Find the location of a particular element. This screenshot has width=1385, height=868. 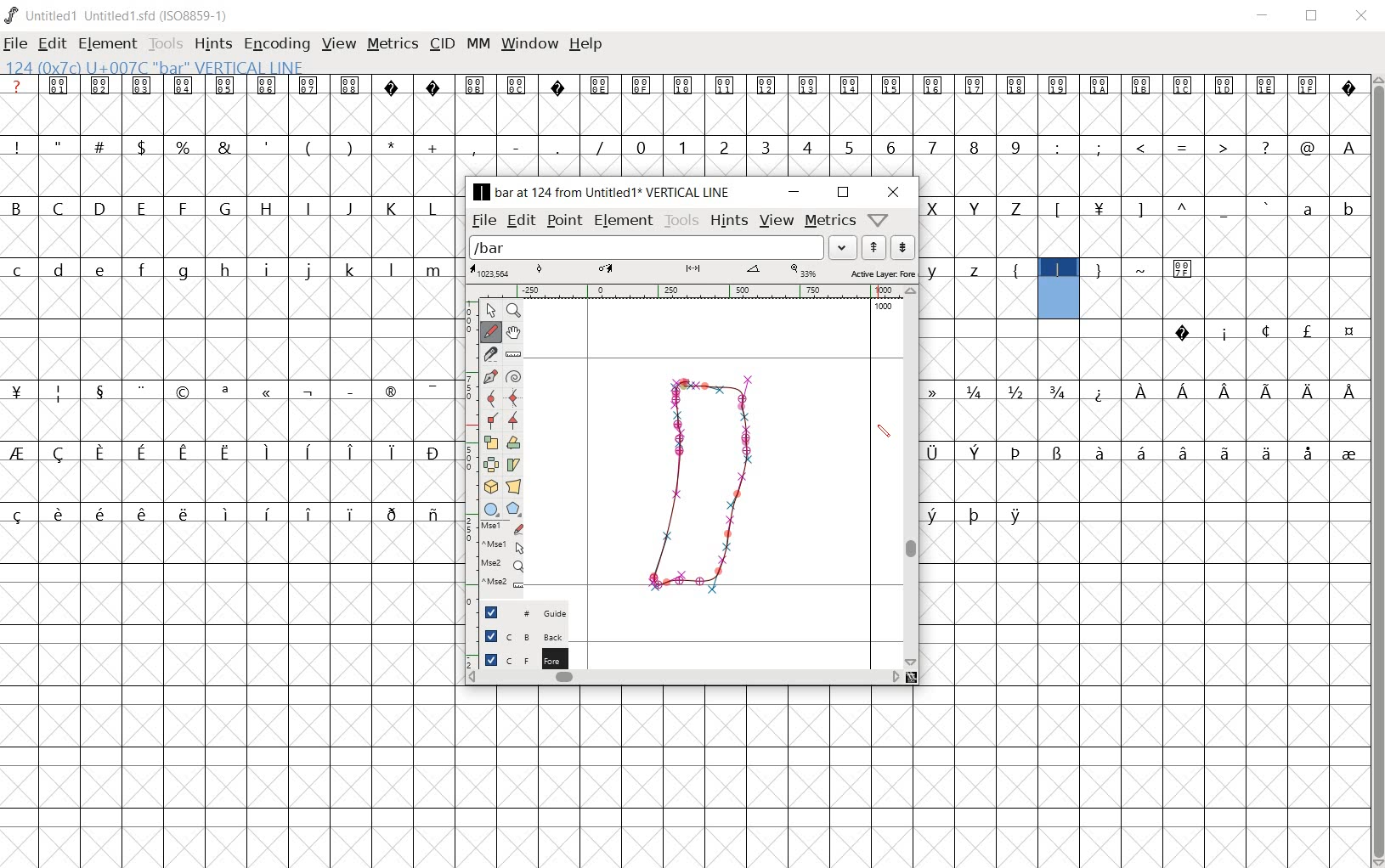

pen tool/CURSOR POSITION is located at coordinates (691, 394).